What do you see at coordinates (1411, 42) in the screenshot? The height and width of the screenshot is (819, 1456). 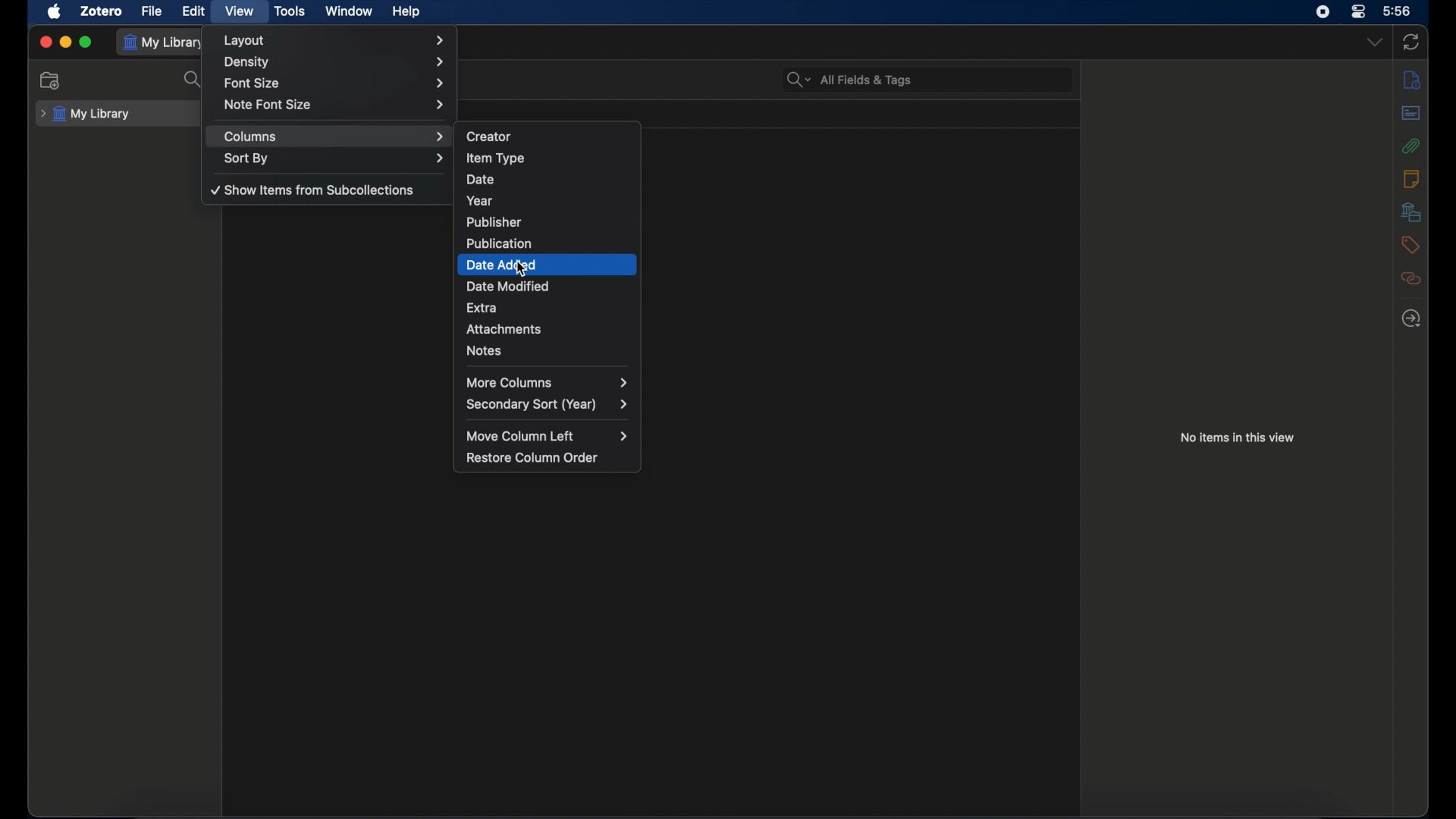 I see `sync` at bounding box center [1411, 42].